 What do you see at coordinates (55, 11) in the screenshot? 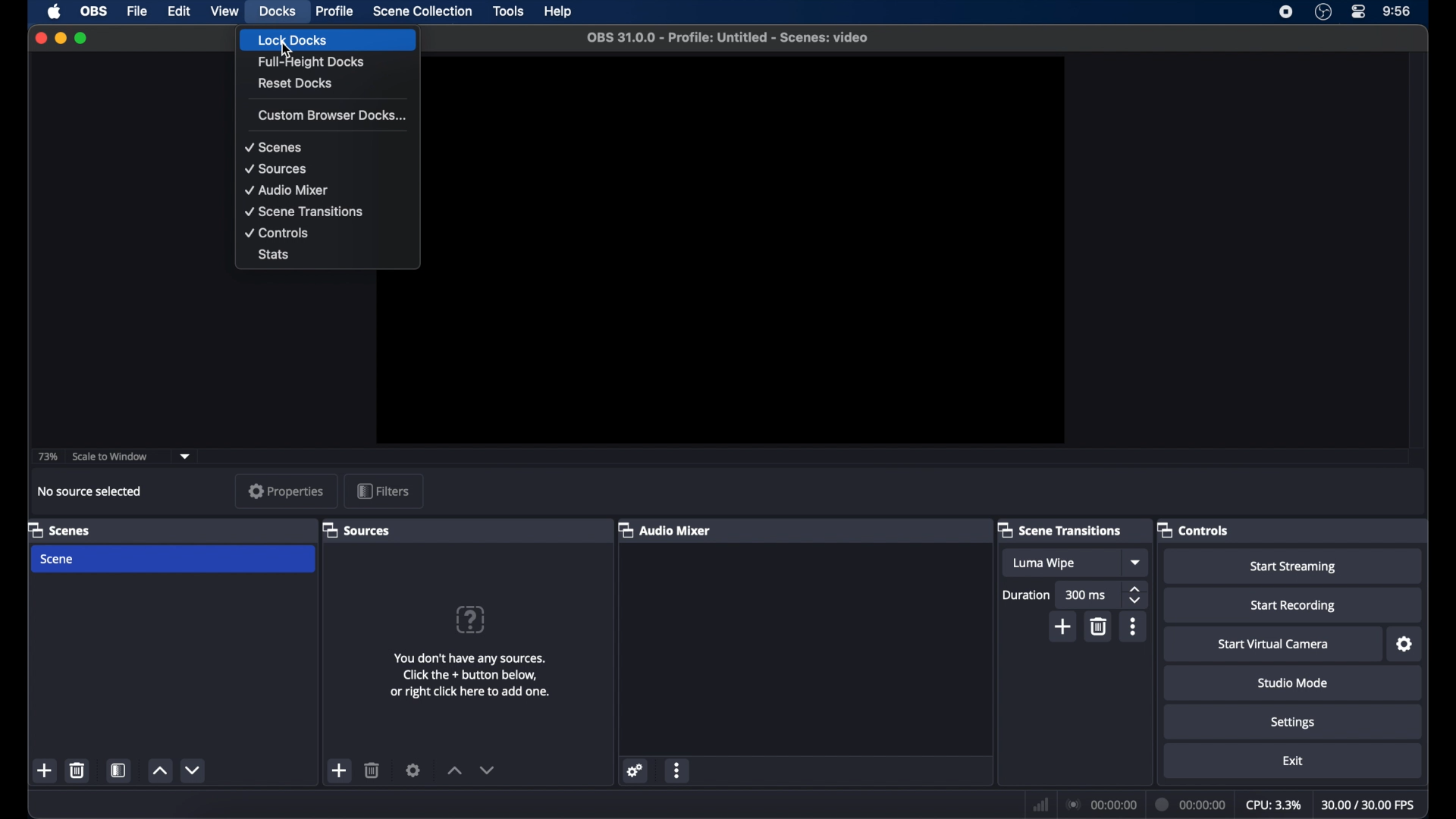
I see `apple icon` at bounding box center [55, 11].